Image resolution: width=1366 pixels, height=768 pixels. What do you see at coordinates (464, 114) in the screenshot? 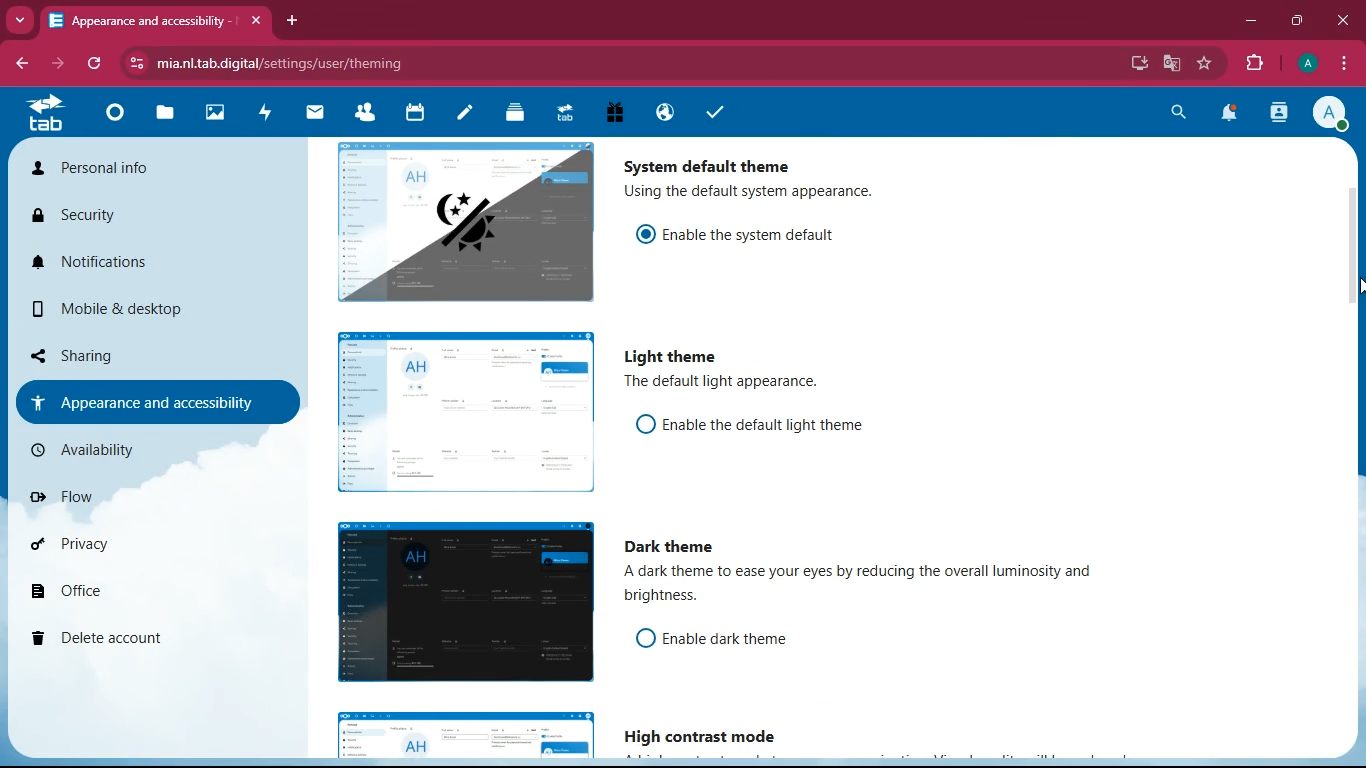
I see `notes` at bounding box center [464, 114].